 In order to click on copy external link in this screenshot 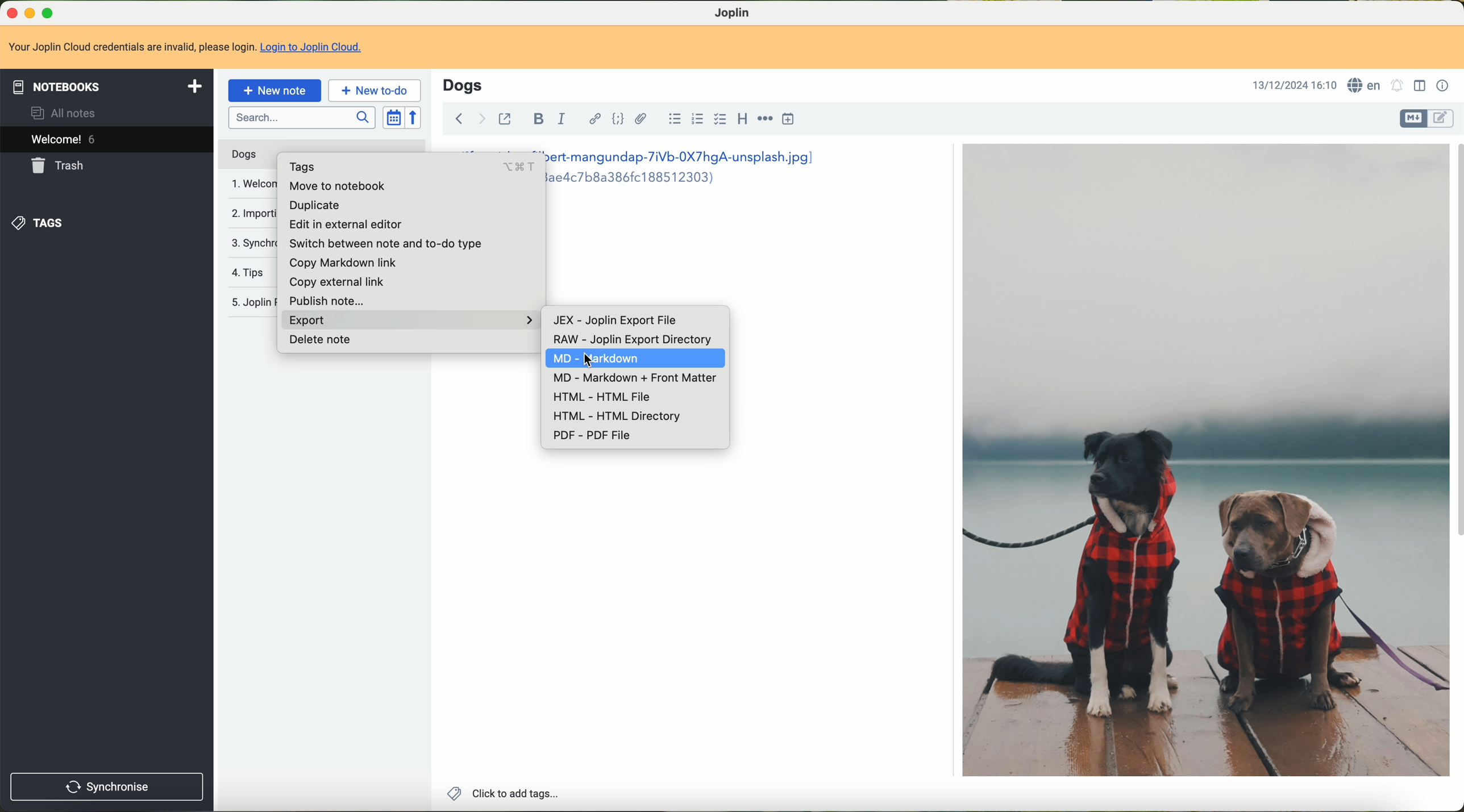, I will do `click(339, 280)`.